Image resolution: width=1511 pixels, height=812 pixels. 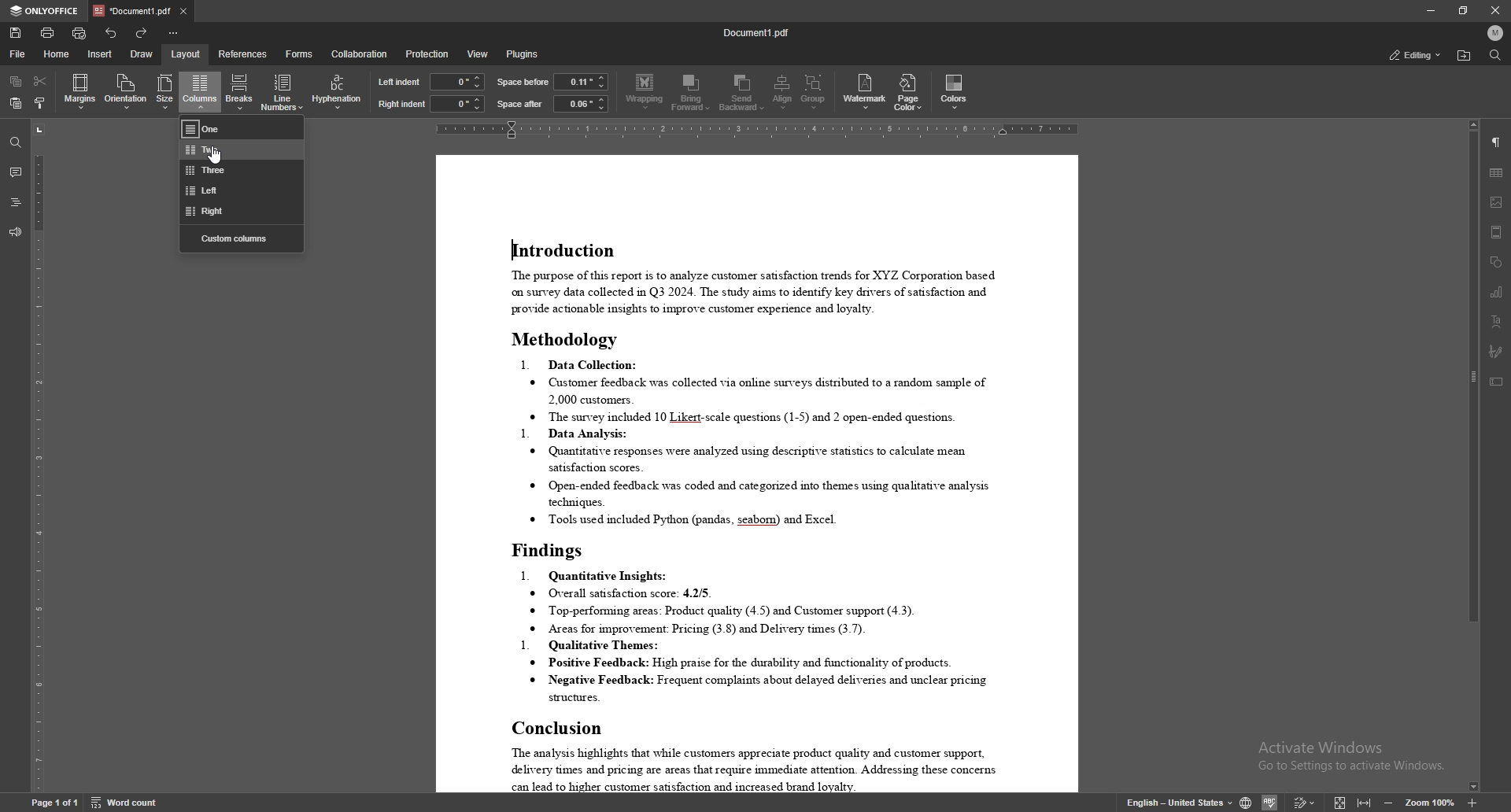 What do you see at coordinates (458, 104) in the screenshot?
I see `right indent input` at bounding box center [458, 104].